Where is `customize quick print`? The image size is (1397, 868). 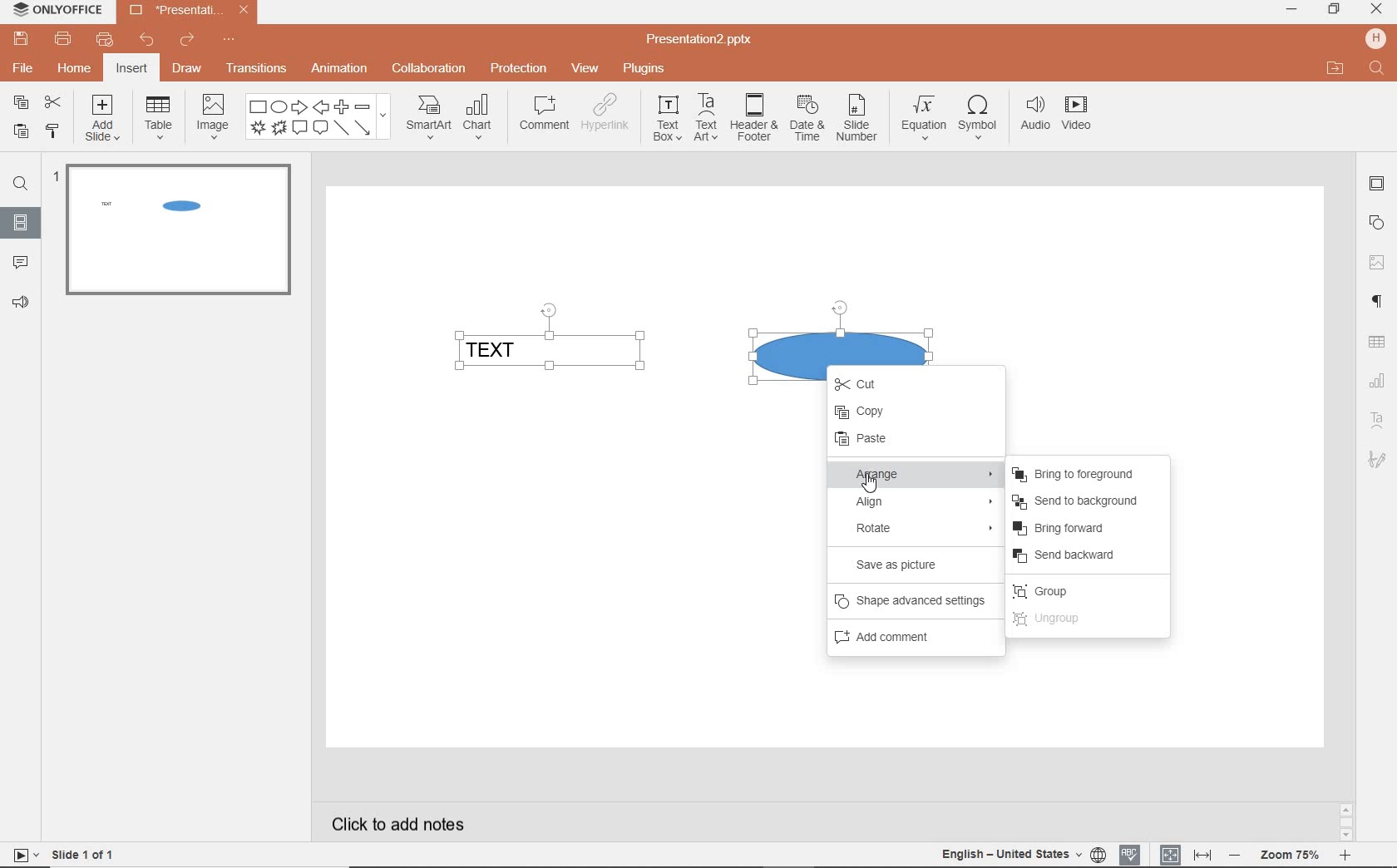
customize quick print is located at coordinates (102, 40).